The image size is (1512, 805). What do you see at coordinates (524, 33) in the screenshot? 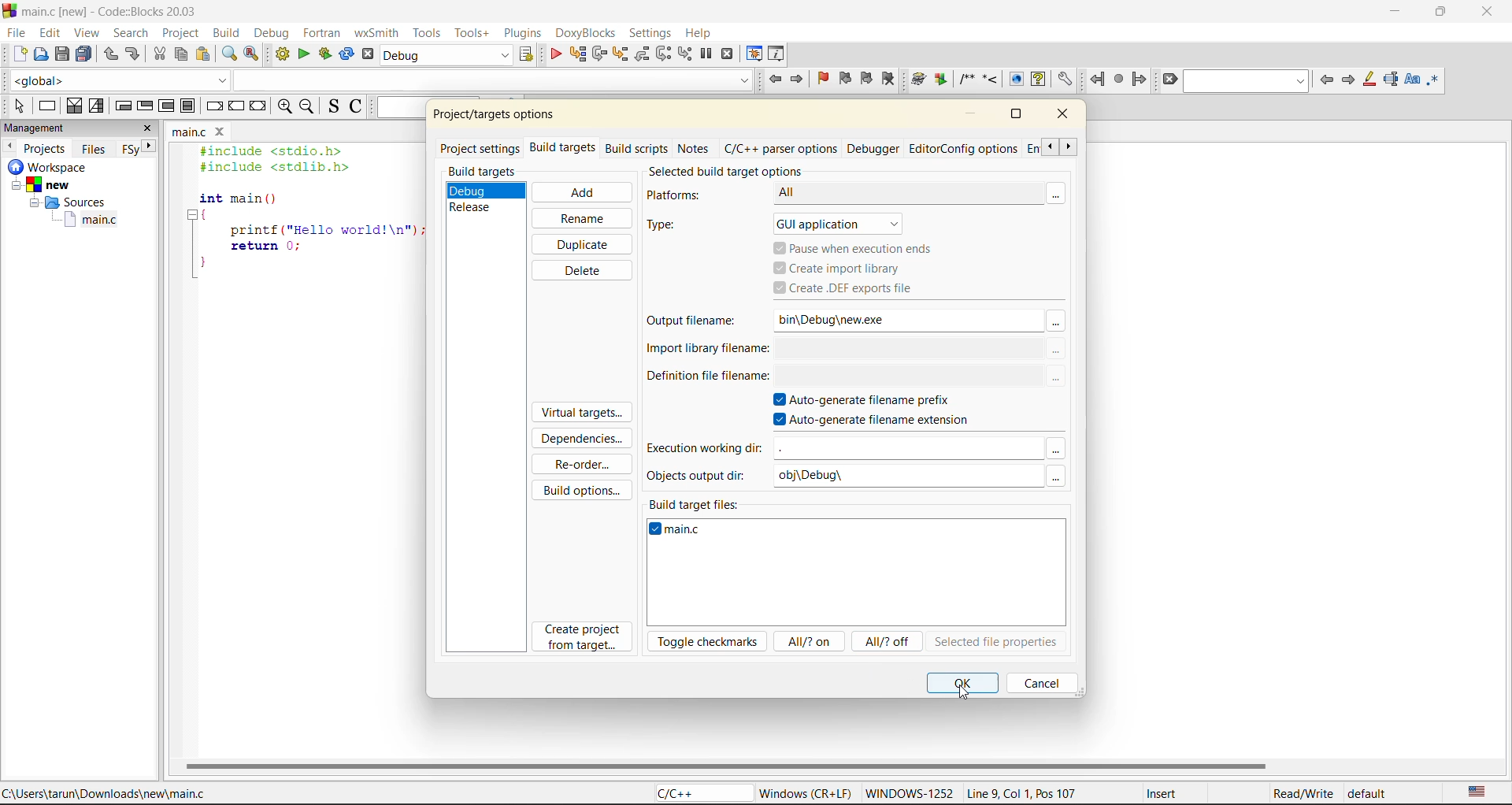
I see `plugins` at bounding box center [524, 33].